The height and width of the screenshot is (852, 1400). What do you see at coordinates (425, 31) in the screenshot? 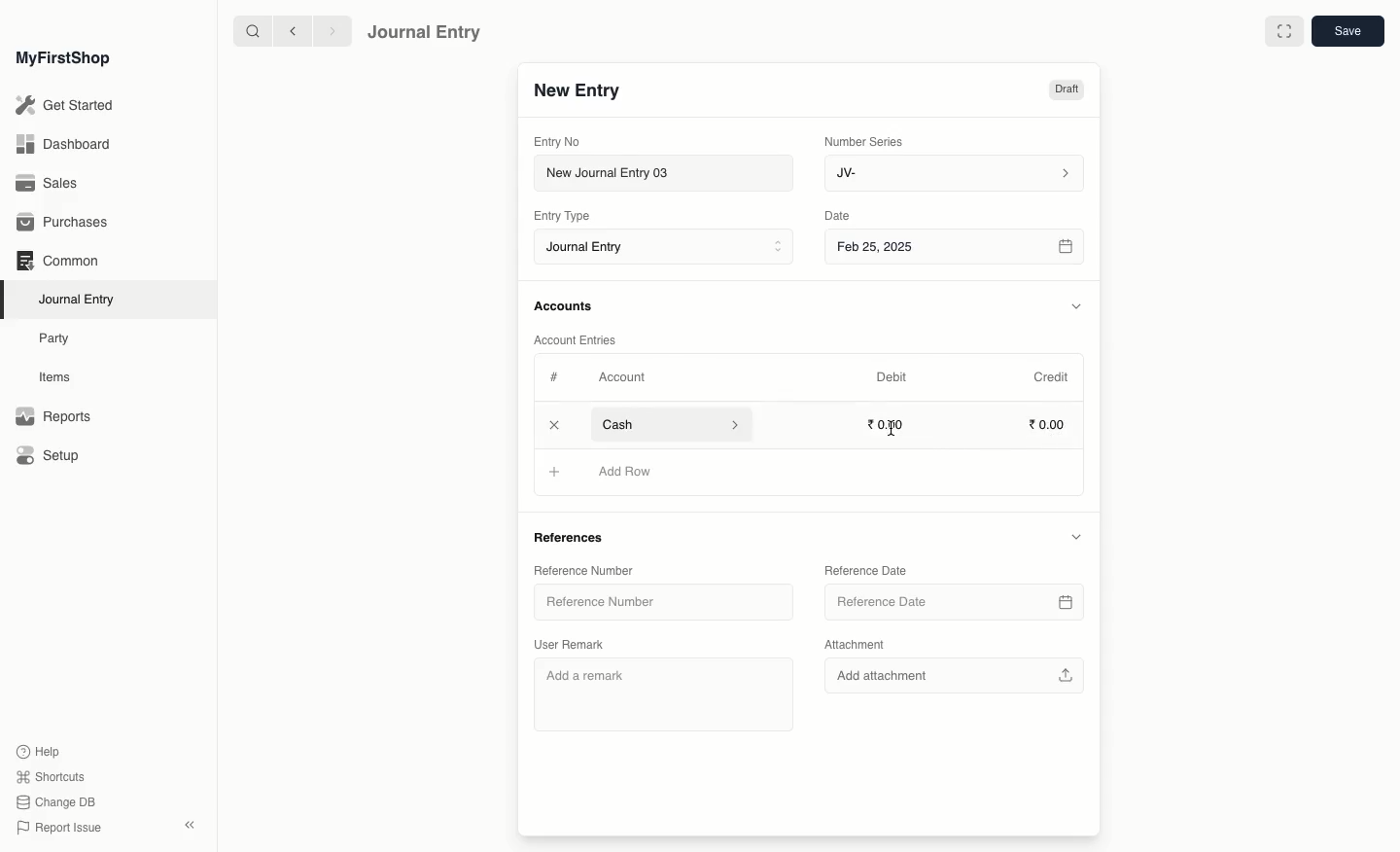
I see `Journal Entry` at bounding box center [425, 31].